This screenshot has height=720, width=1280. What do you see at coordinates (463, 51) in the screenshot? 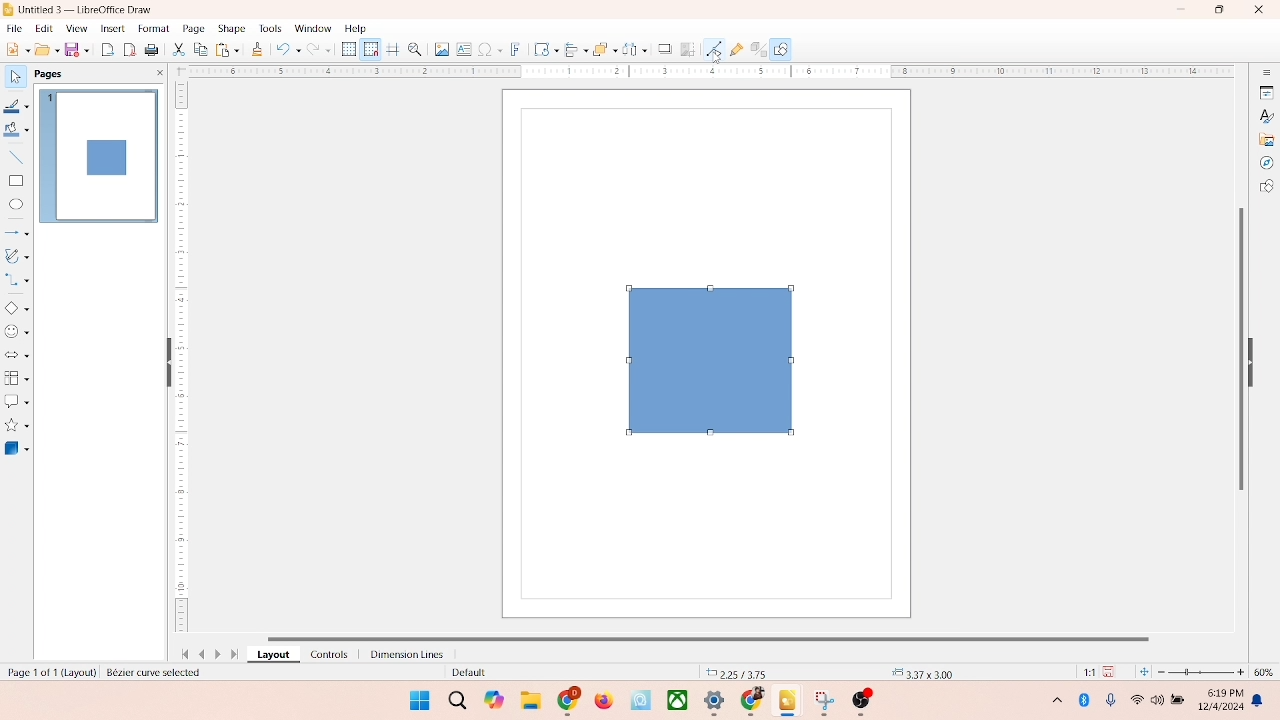
I see `textbox` at bounding box center [463, 51].